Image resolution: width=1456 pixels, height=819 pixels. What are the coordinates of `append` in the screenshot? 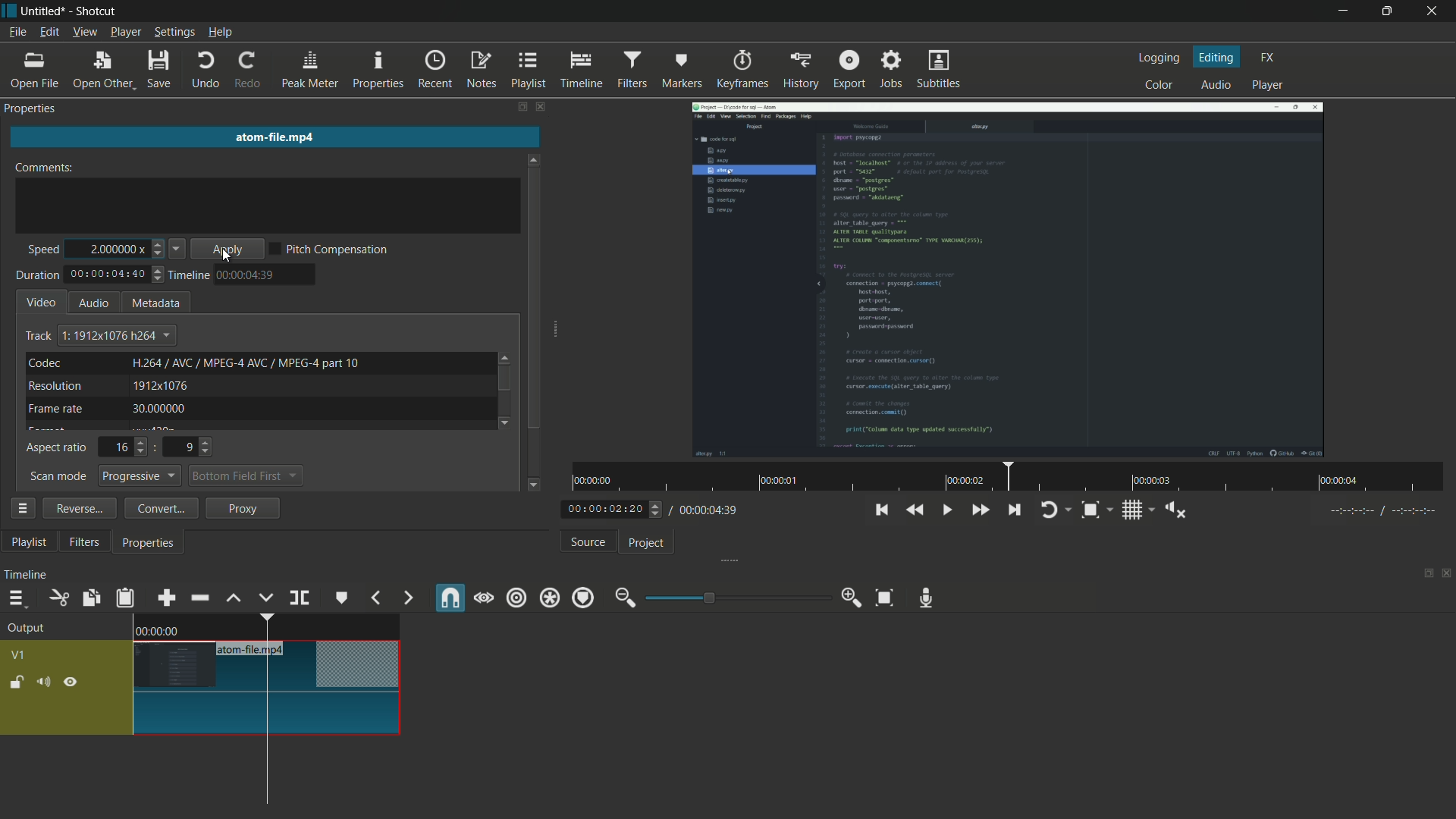 It's located at (165, 598).